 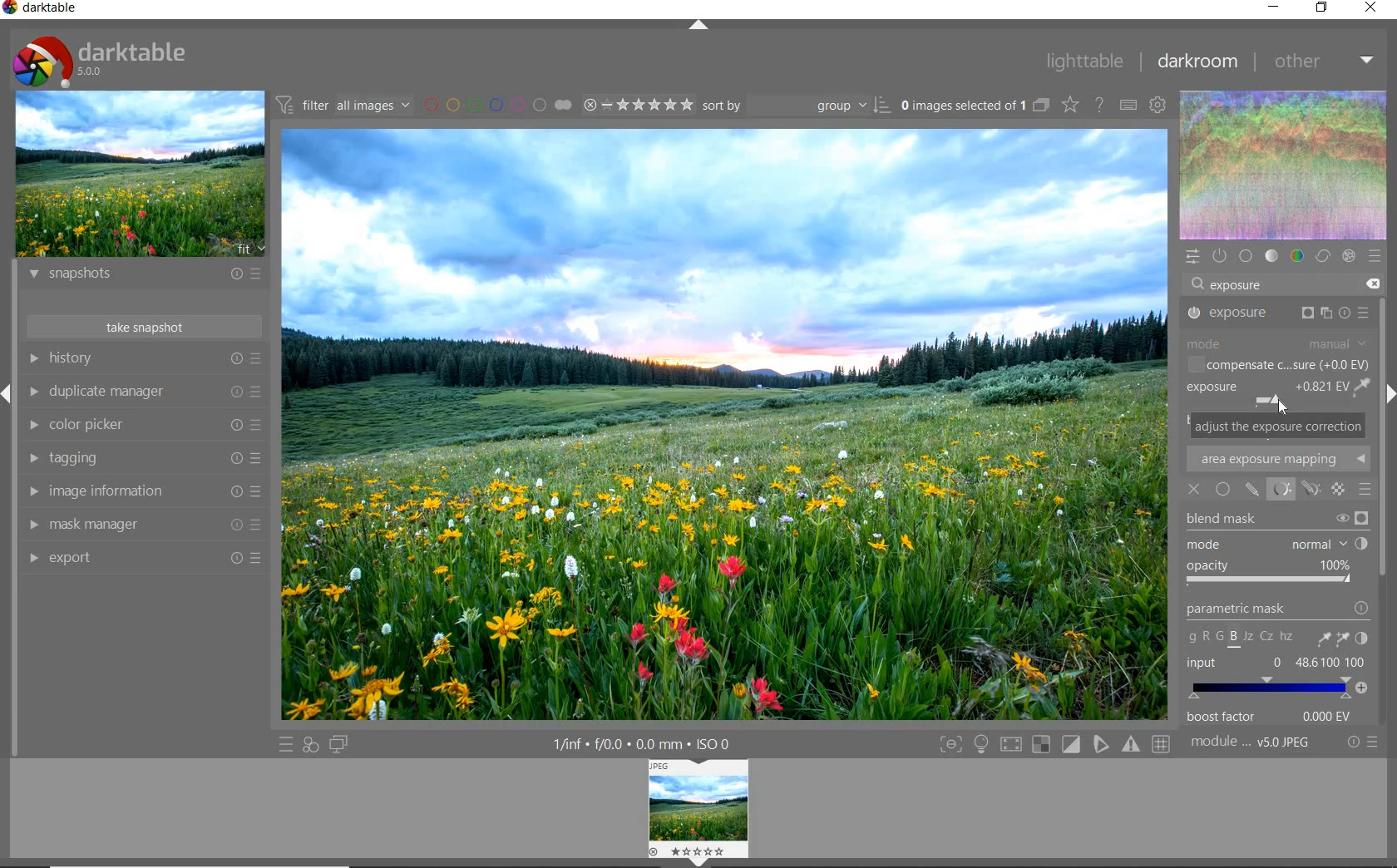 What do you see at coordinates (1277, 678) in the screenshot?
I see `Input` at bounding box center [1277, 678].